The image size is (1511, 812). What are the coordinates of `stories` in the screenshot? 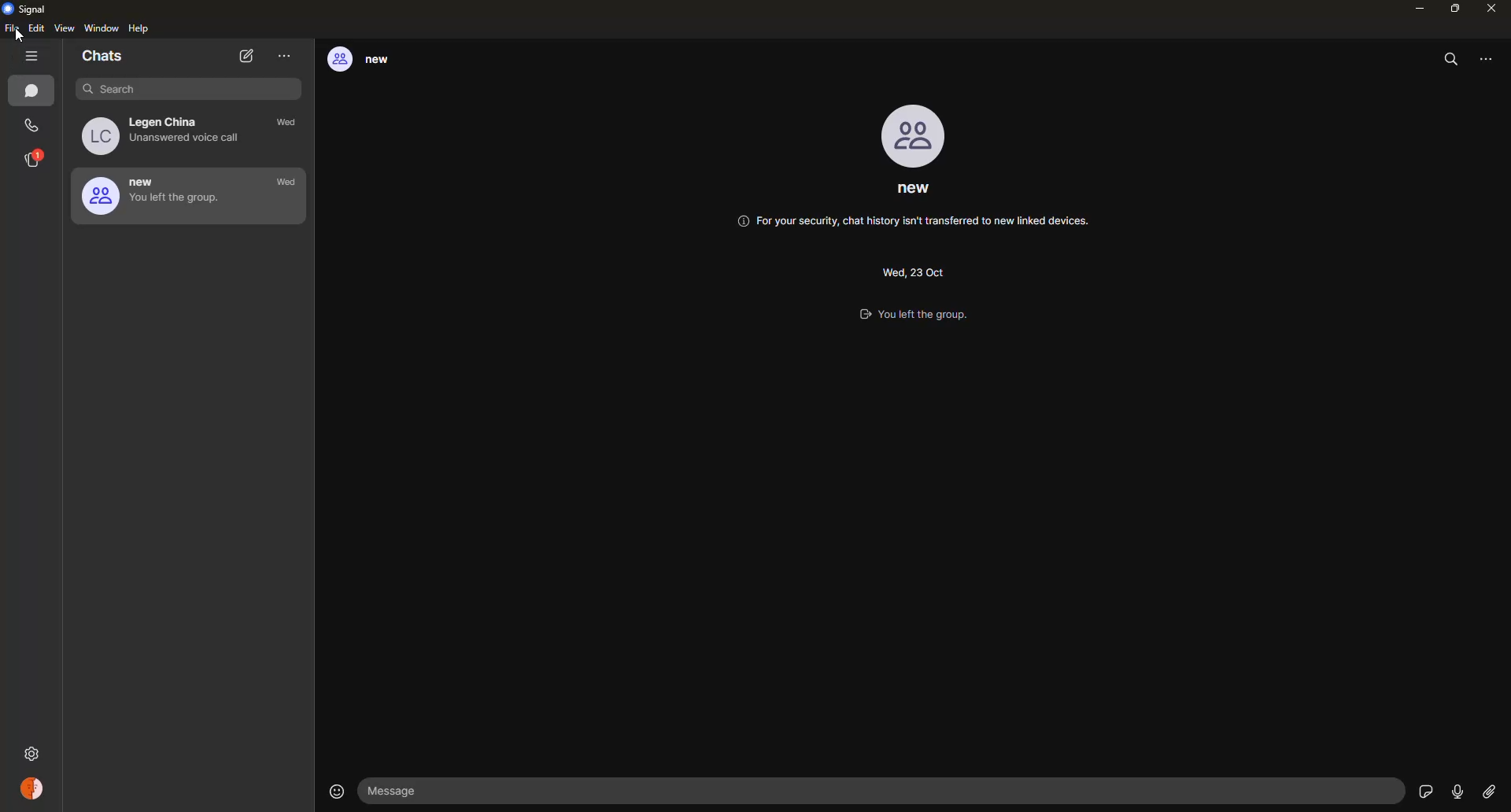 It's located at (35, 159).